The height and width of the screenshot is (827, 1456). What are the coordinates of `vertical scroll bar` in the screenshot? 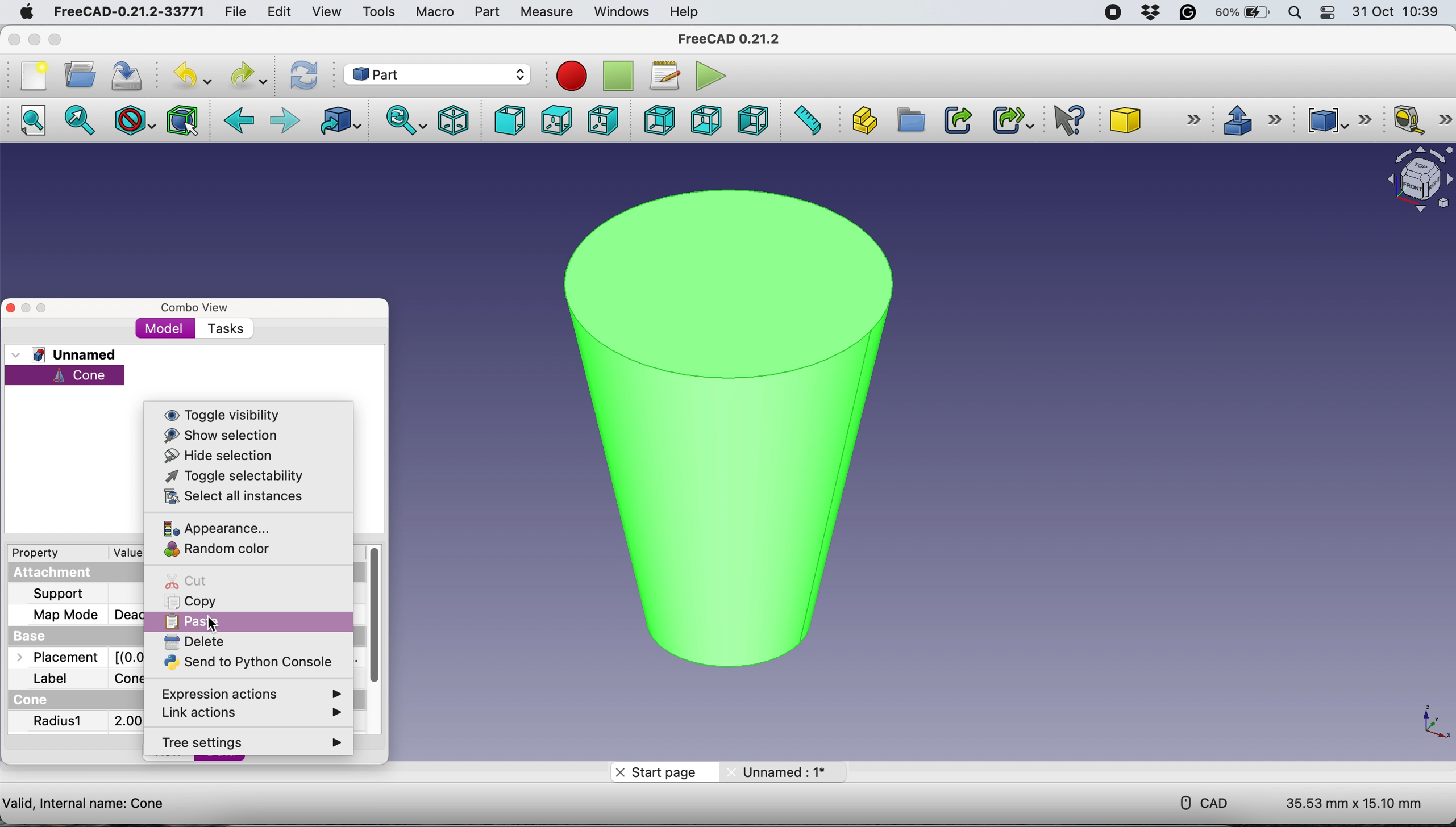 It's located at (376, 620).